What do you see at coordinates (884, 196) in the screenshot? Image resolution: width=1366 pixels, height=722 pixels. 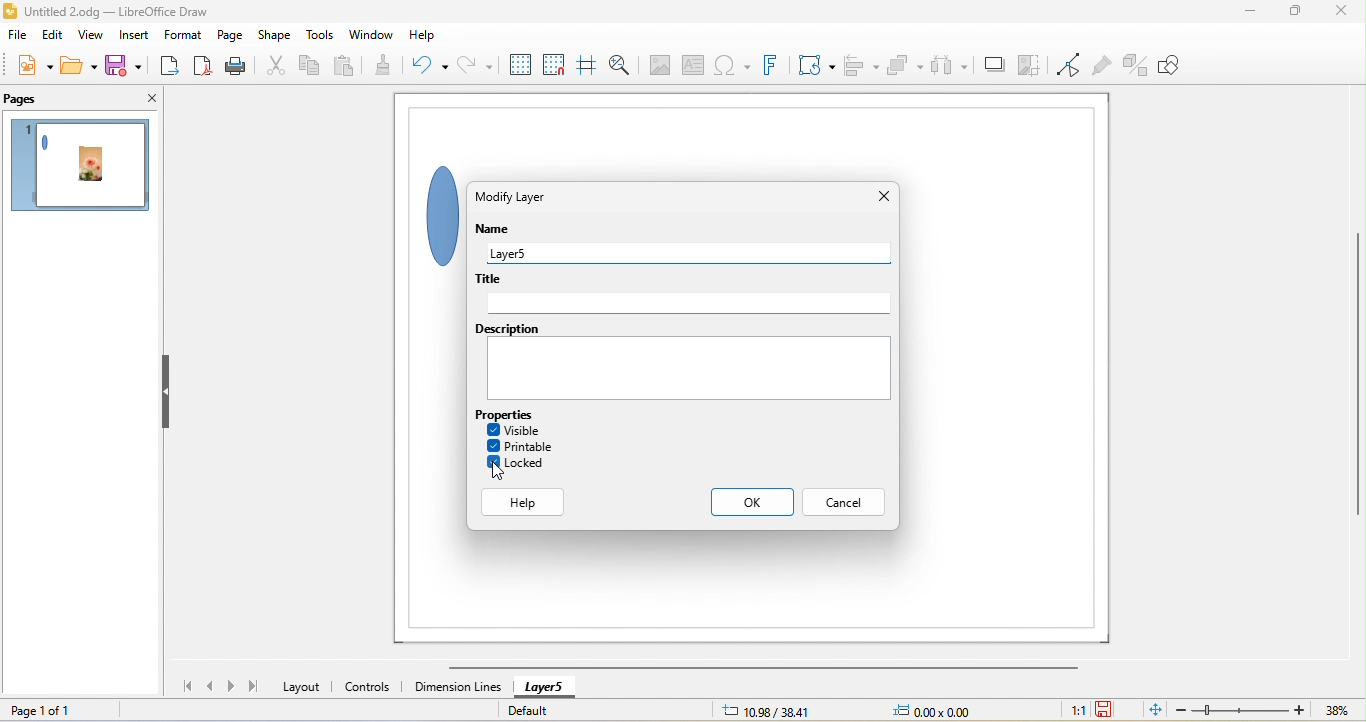 I see `close` at bounding box center [884, 196].